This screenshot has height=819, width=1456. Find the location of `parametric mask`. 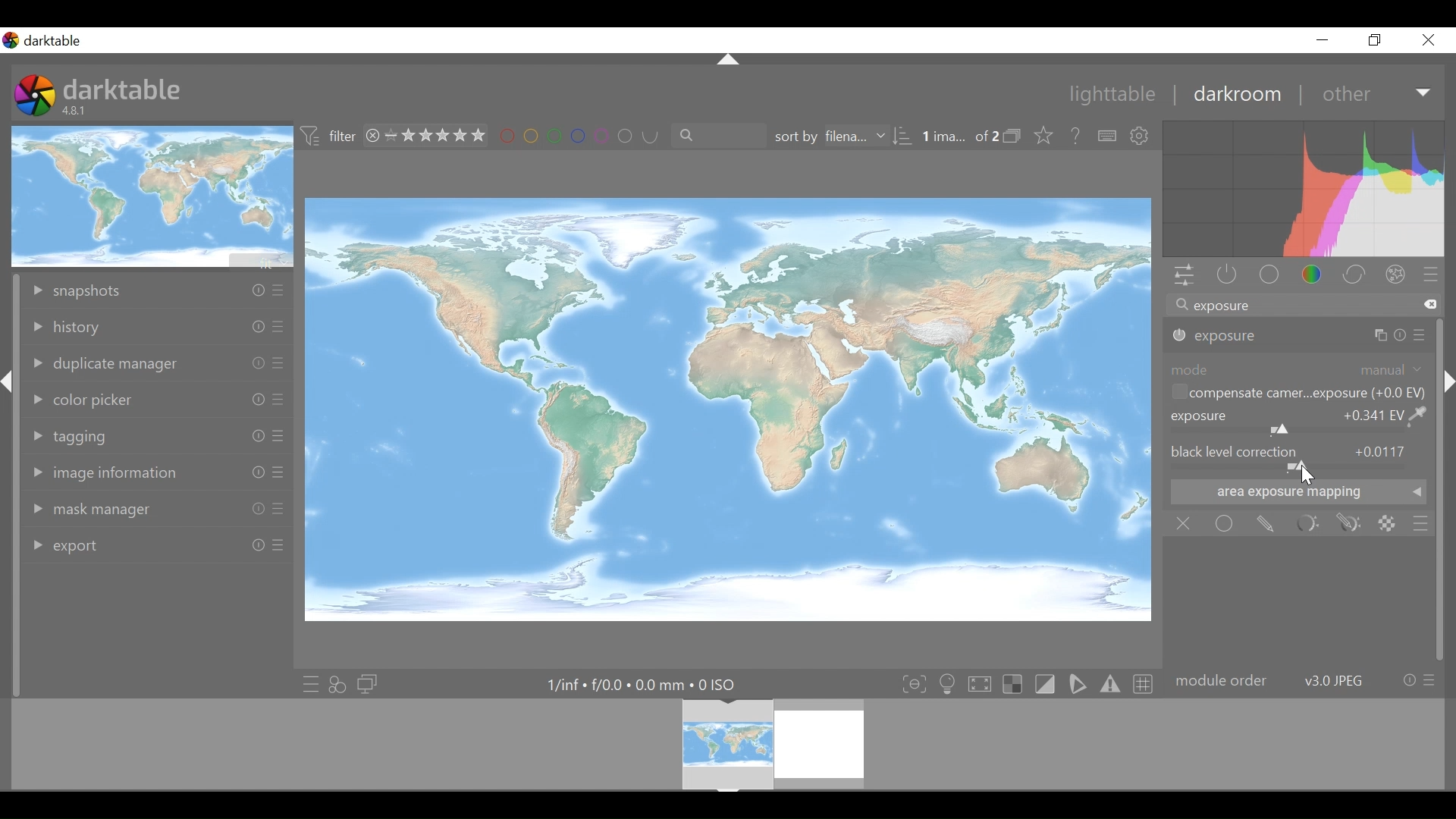

parametric mask is located at coordinates (1309, 523).